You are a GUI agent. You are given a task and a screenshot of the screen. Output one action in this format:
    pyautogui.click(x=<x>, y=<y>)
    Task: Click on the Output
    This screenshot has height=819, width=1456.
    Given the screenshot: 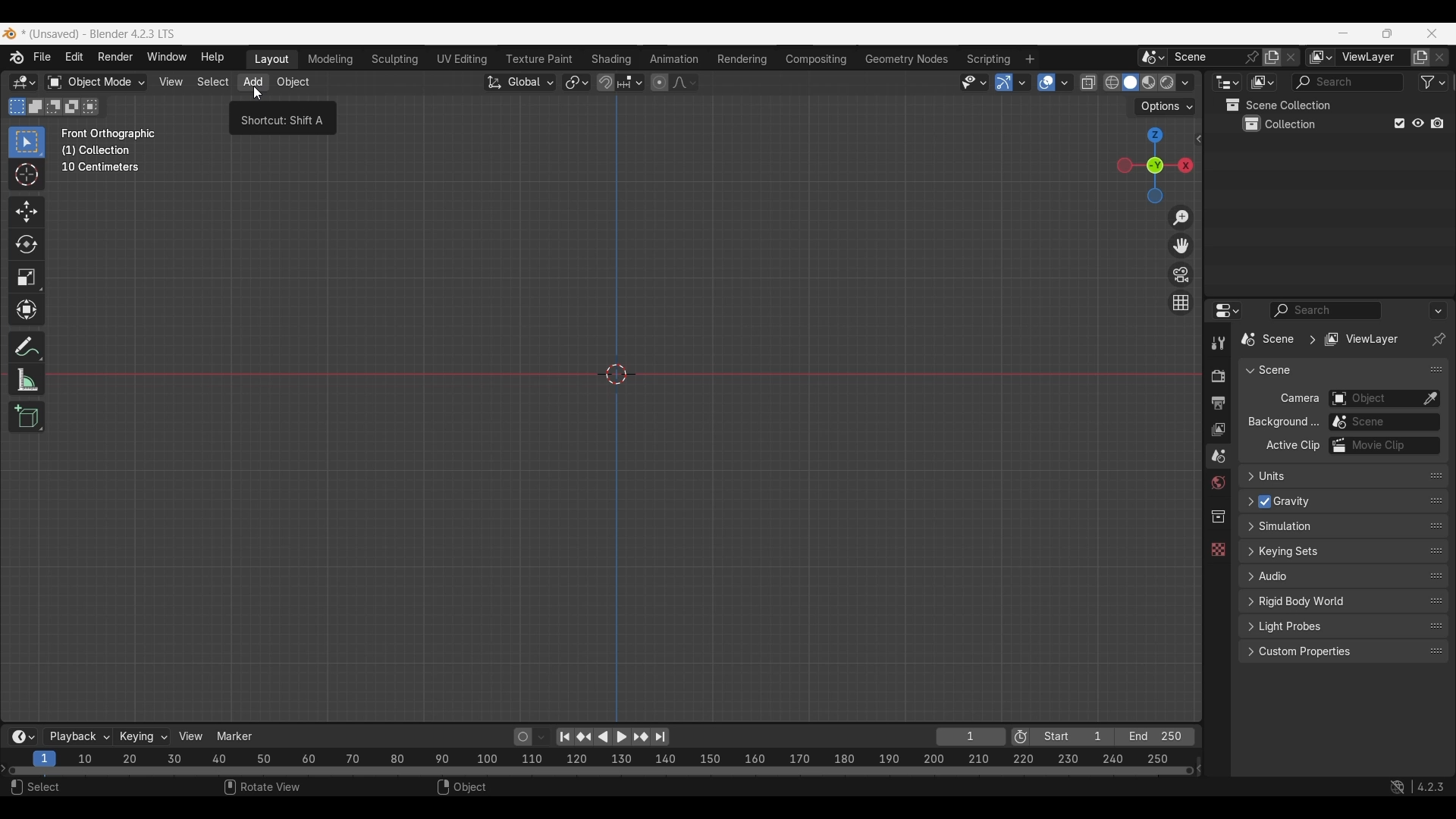 What is the action you would take?
    pyautogui.click(x=1217, y=403)
    